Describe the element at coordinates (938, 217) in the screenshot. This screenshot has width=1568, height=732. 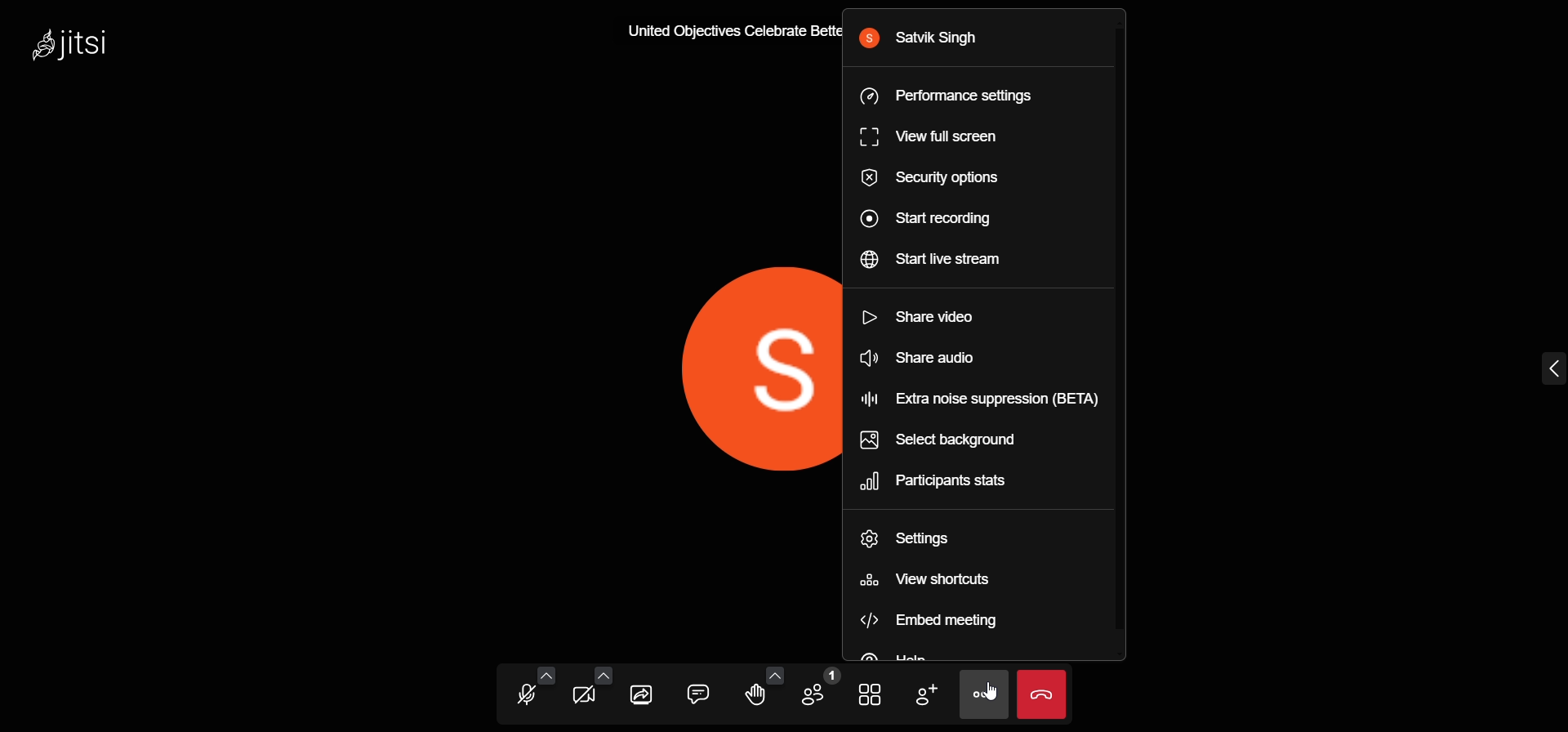
I see `start recording` at that location.